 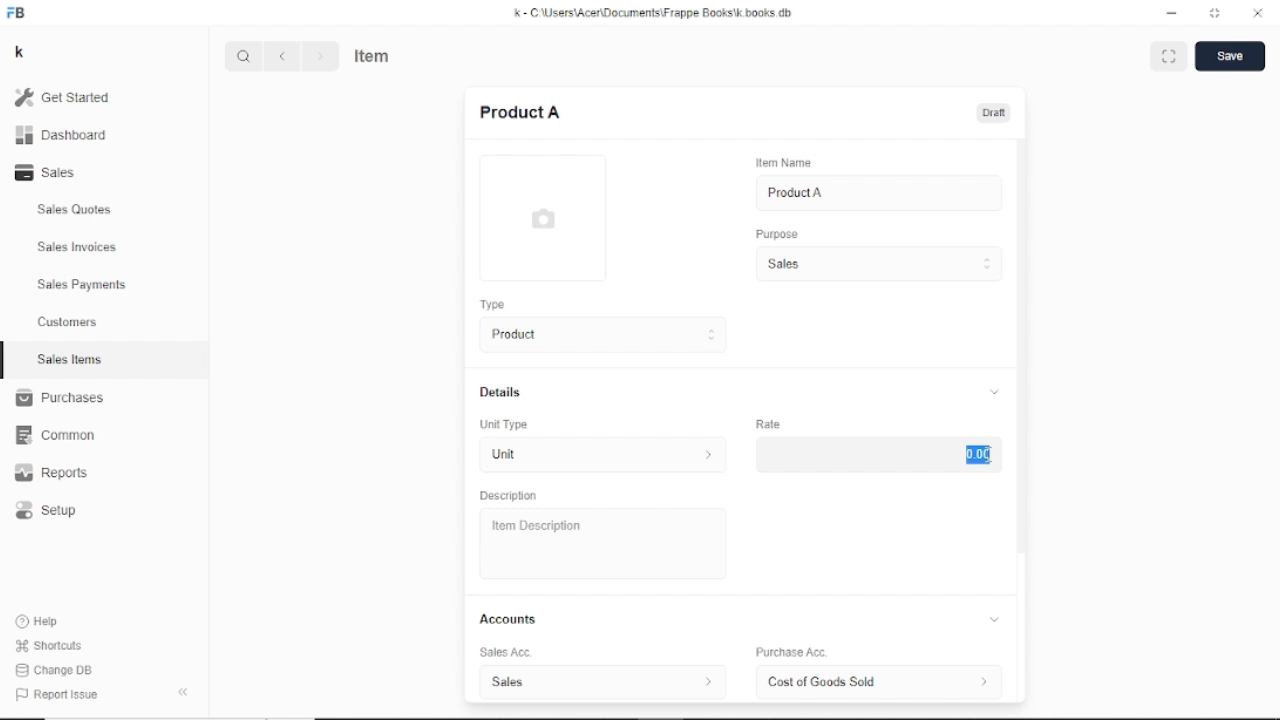 What do you see at coordinates (22, 53) in the screenshot?
I see `k` at bounding box center [22, 53].